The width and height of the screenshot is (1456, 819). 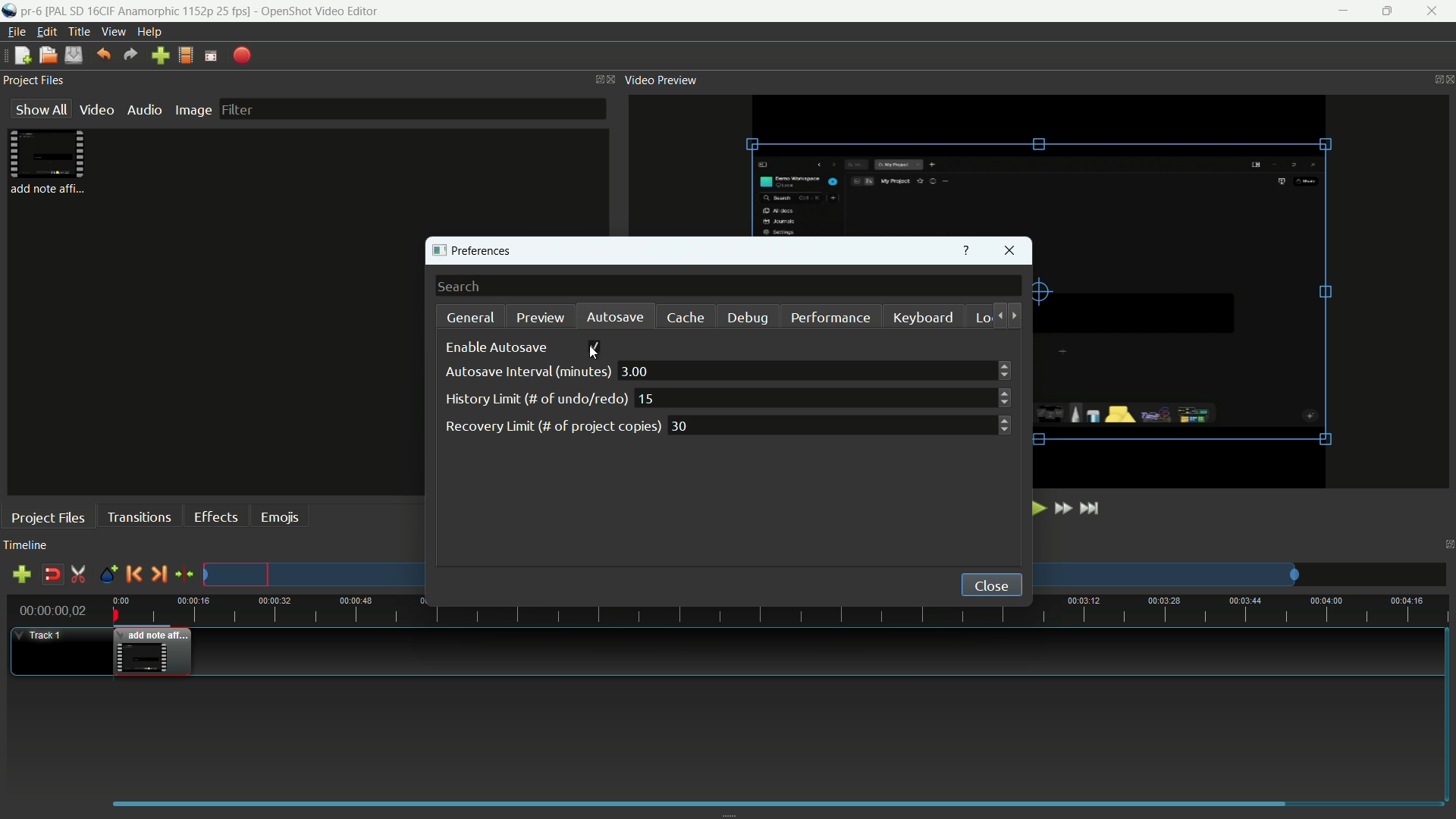 What do you see at coordinates (159, 55) in the screenshot?
I see `import file` at bounding box center [159, 55].